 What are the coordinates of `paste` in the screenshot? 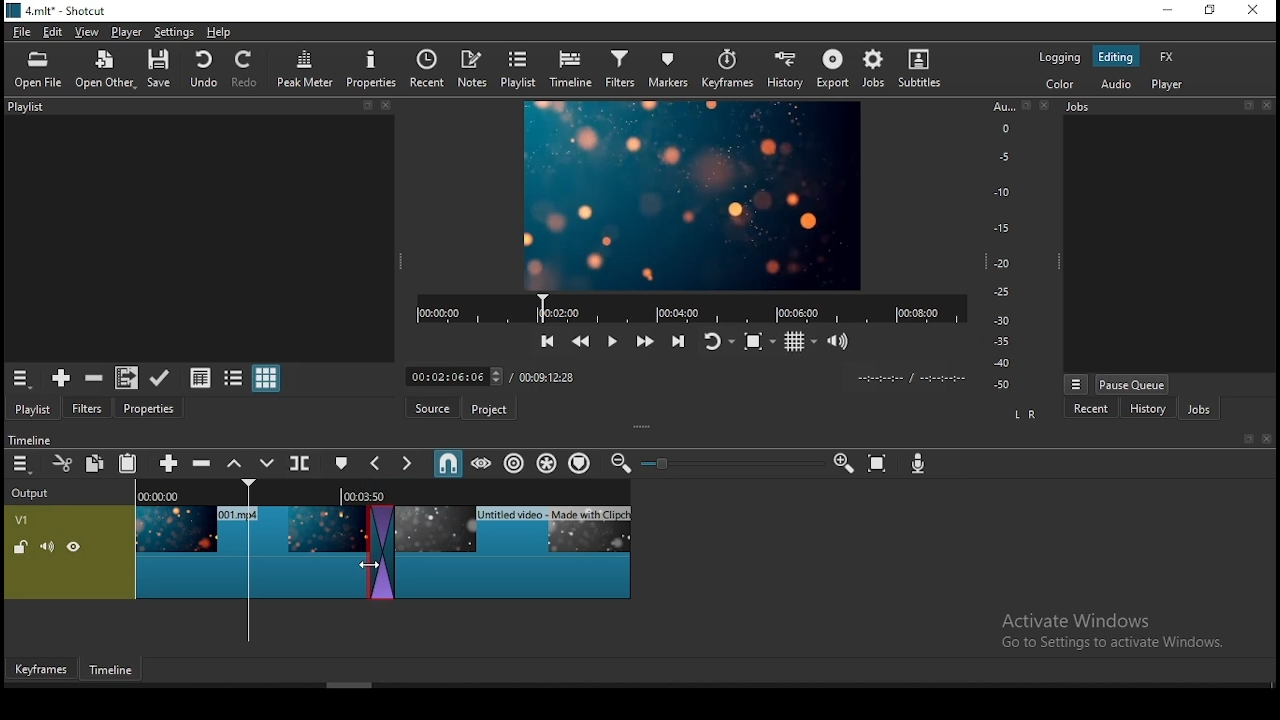 It's located at (127, 463).